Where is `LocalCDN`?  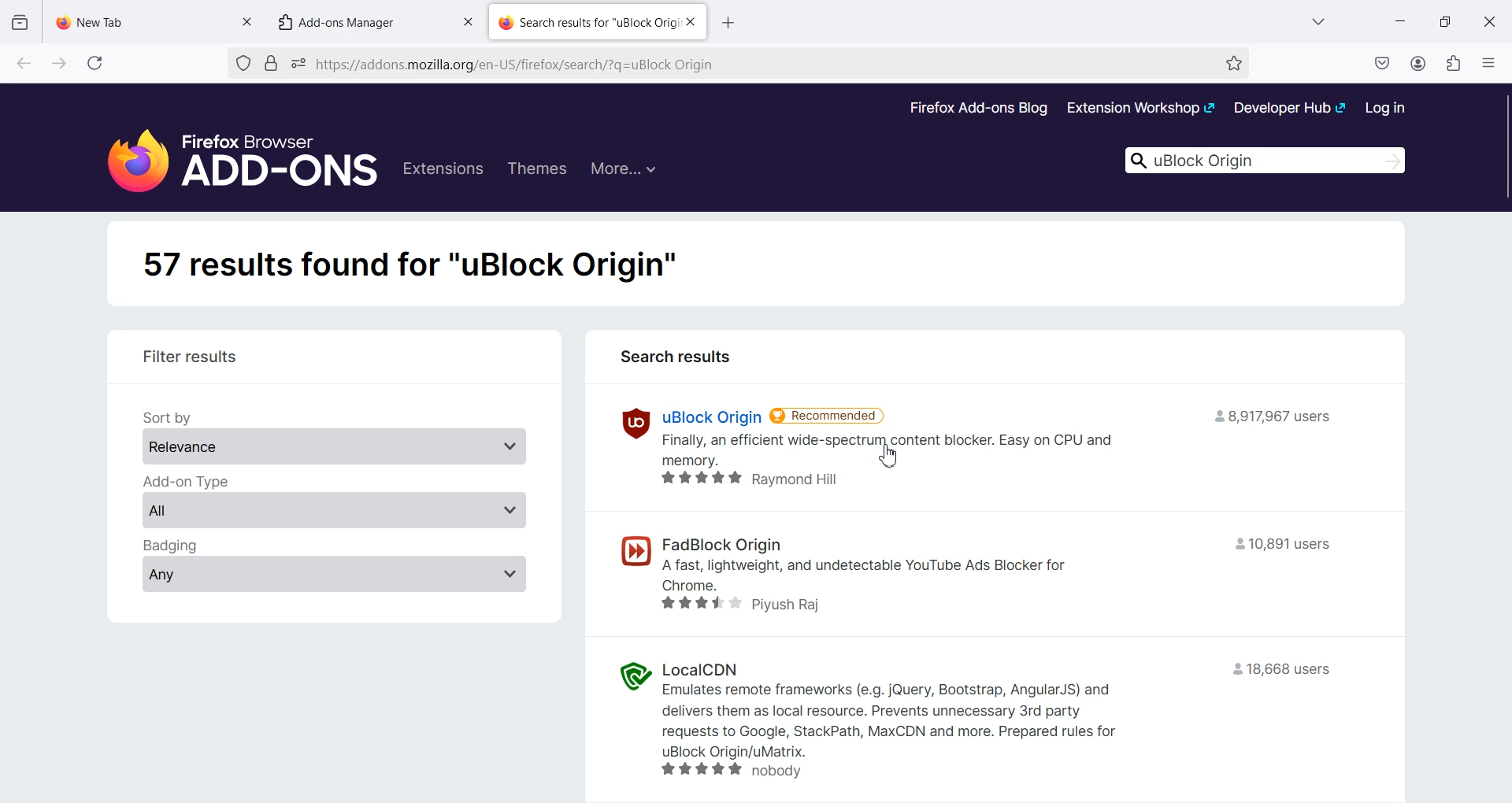 LocalCDN is located at coordinates (705, 667).